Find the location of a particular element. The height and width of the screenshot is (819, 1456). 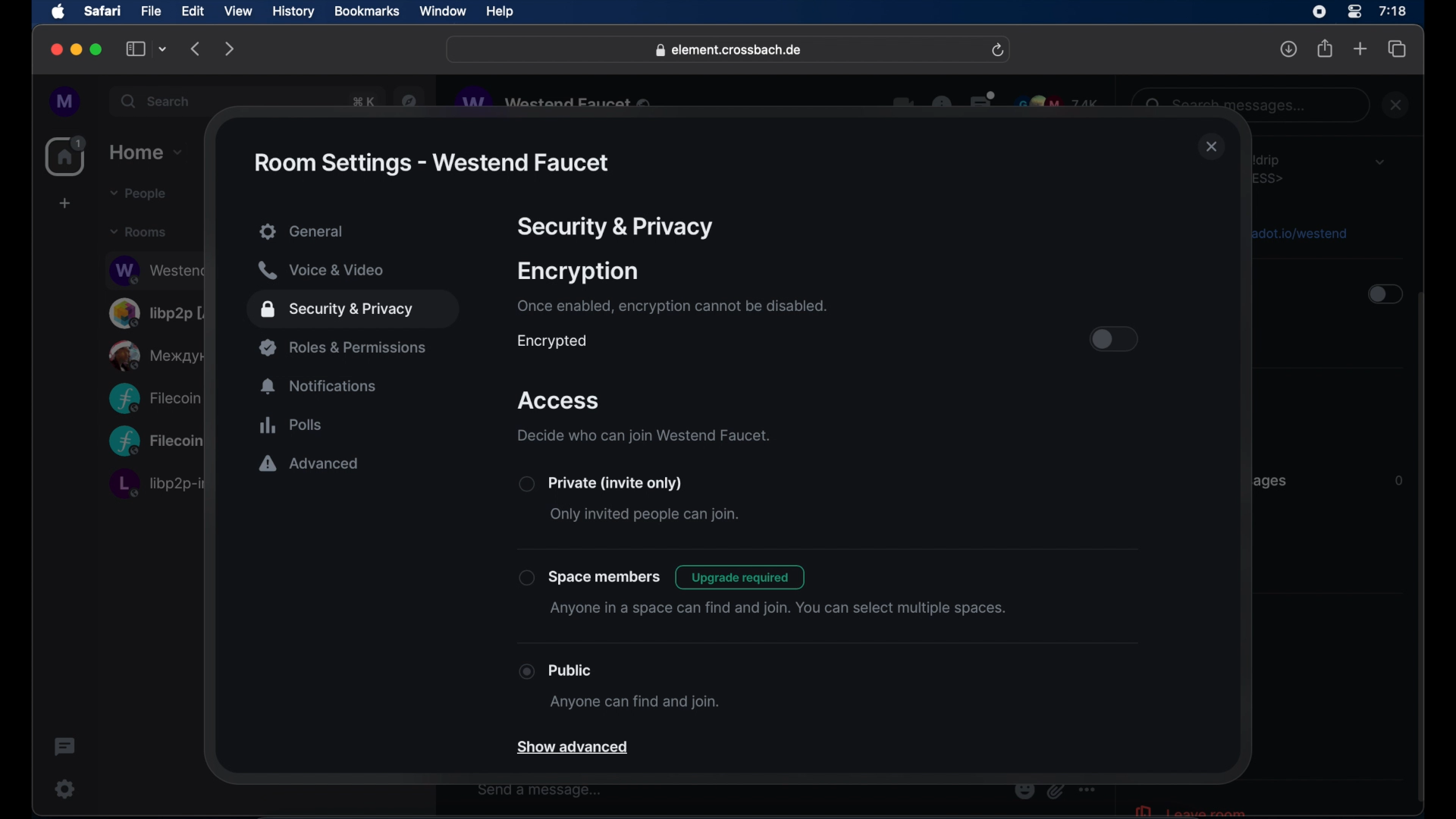

tab group picker is located at coordinates (163, 49).